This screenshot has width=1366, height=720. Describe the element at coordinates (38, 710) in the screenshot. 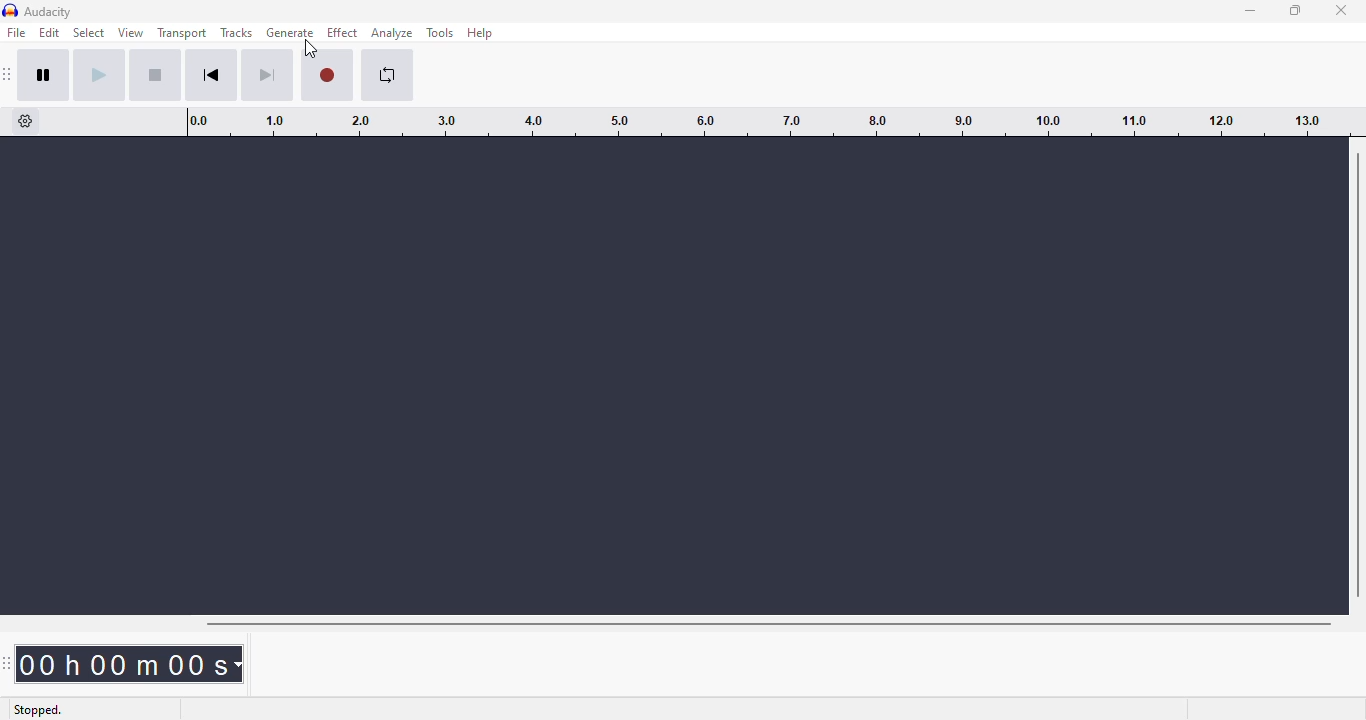

I see `stopped` at that location.